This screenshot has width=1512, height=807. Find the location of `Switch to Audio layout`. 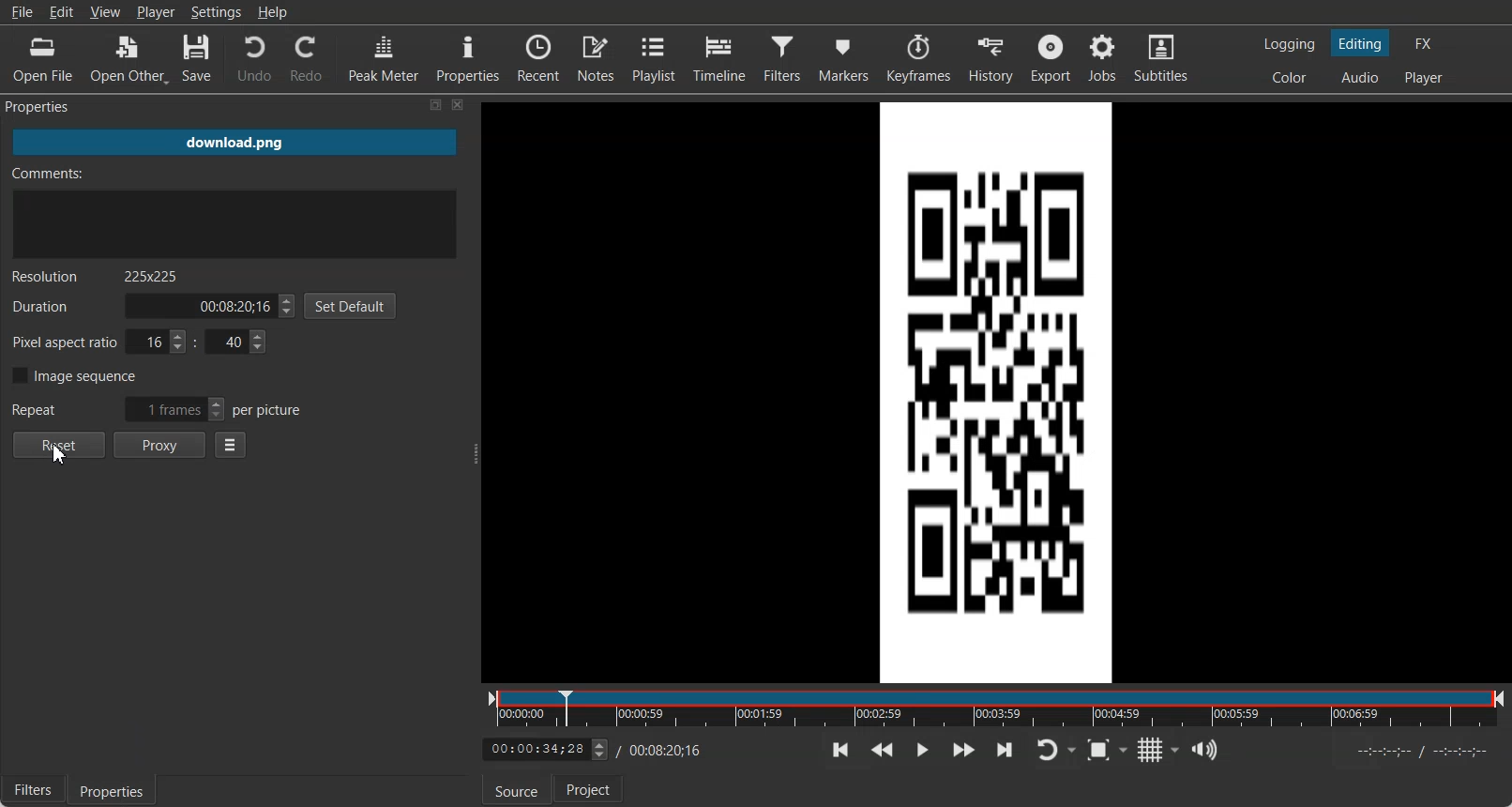

Switch to Audio layout is located at coordinates (1361, 77).